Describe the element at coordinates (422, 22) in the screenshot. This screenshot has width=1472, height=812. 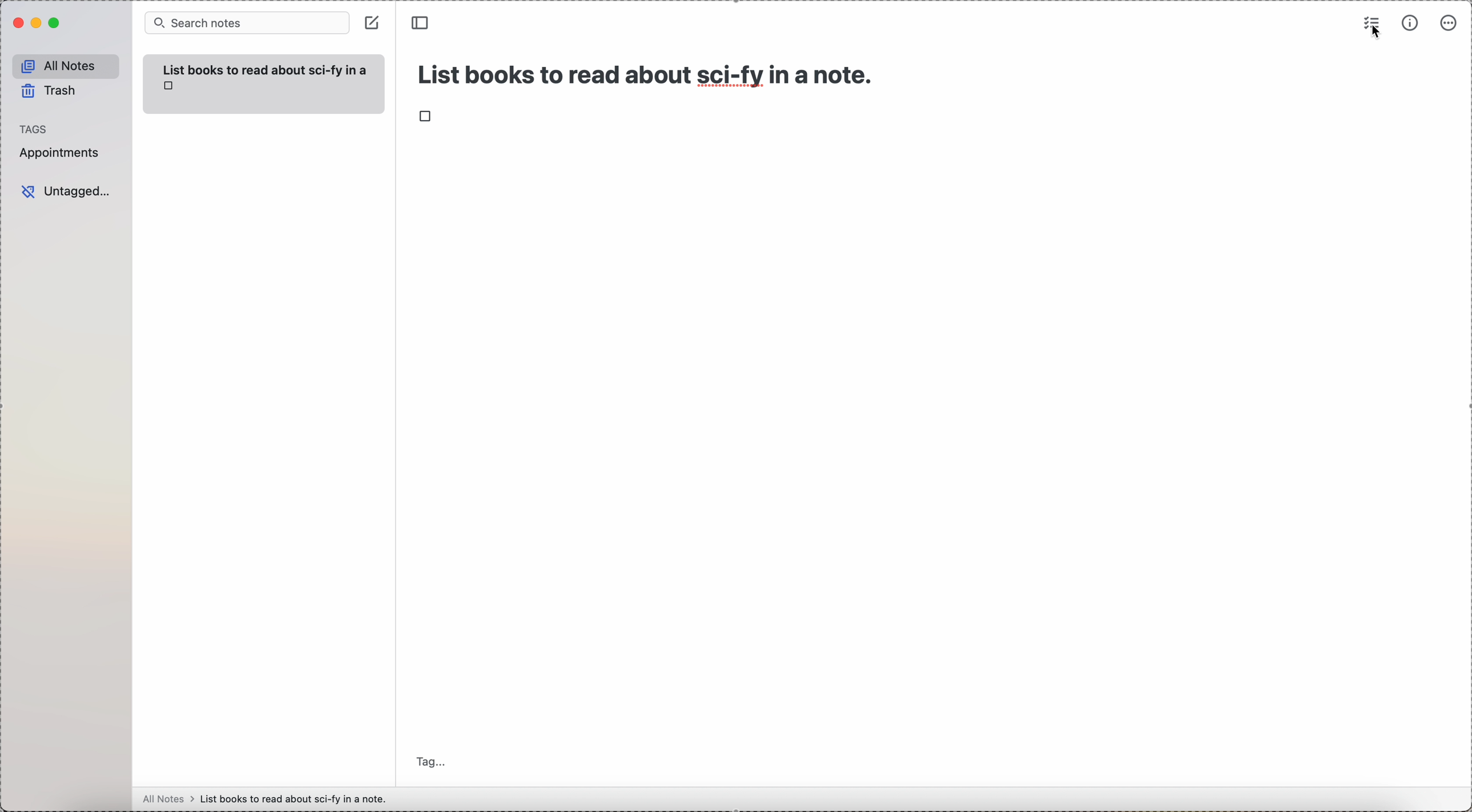
I see `toggle sidebar` at that location.